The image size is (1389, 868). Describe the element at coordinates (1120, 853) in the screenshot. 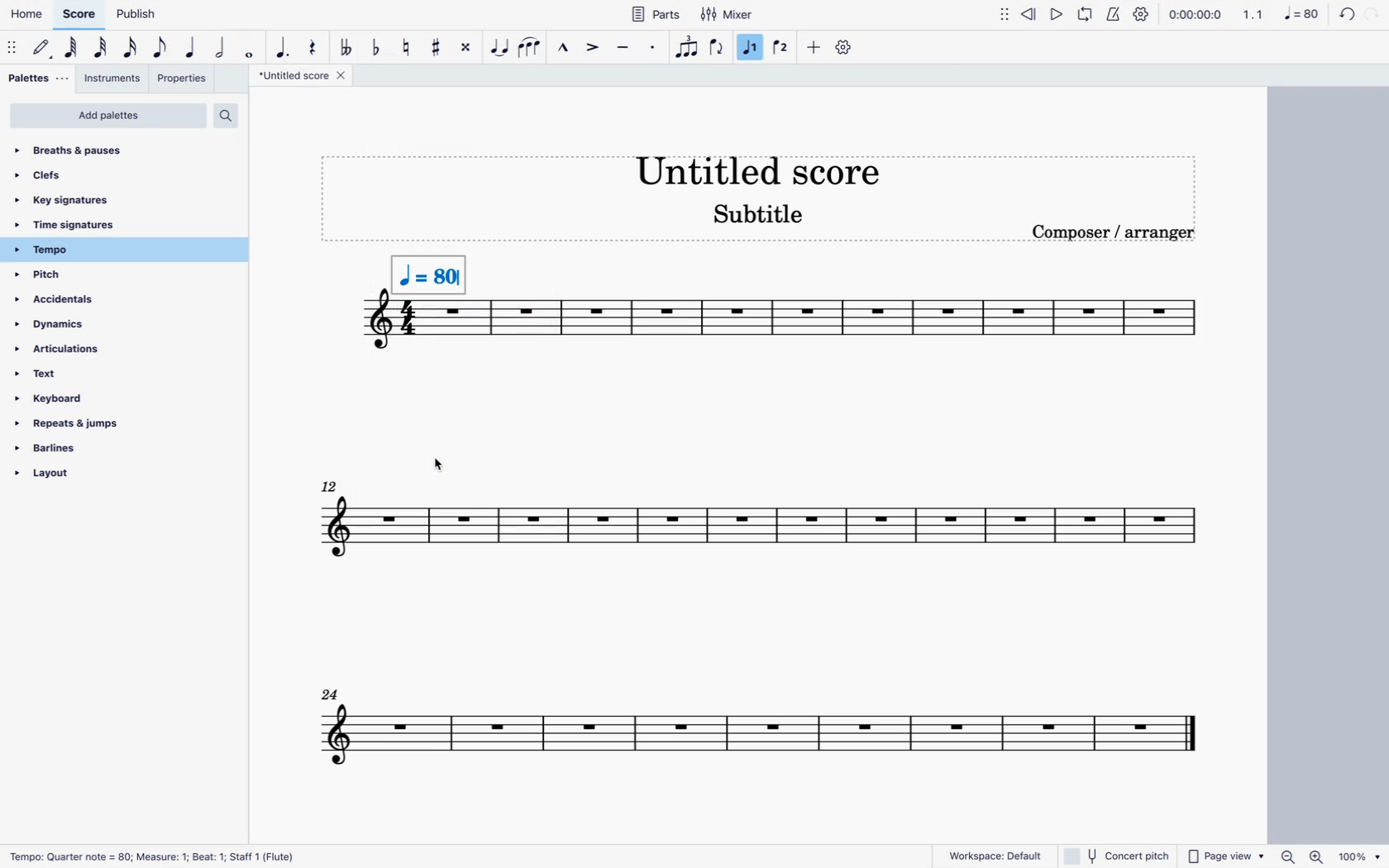

I see `concert pitch` at that location.